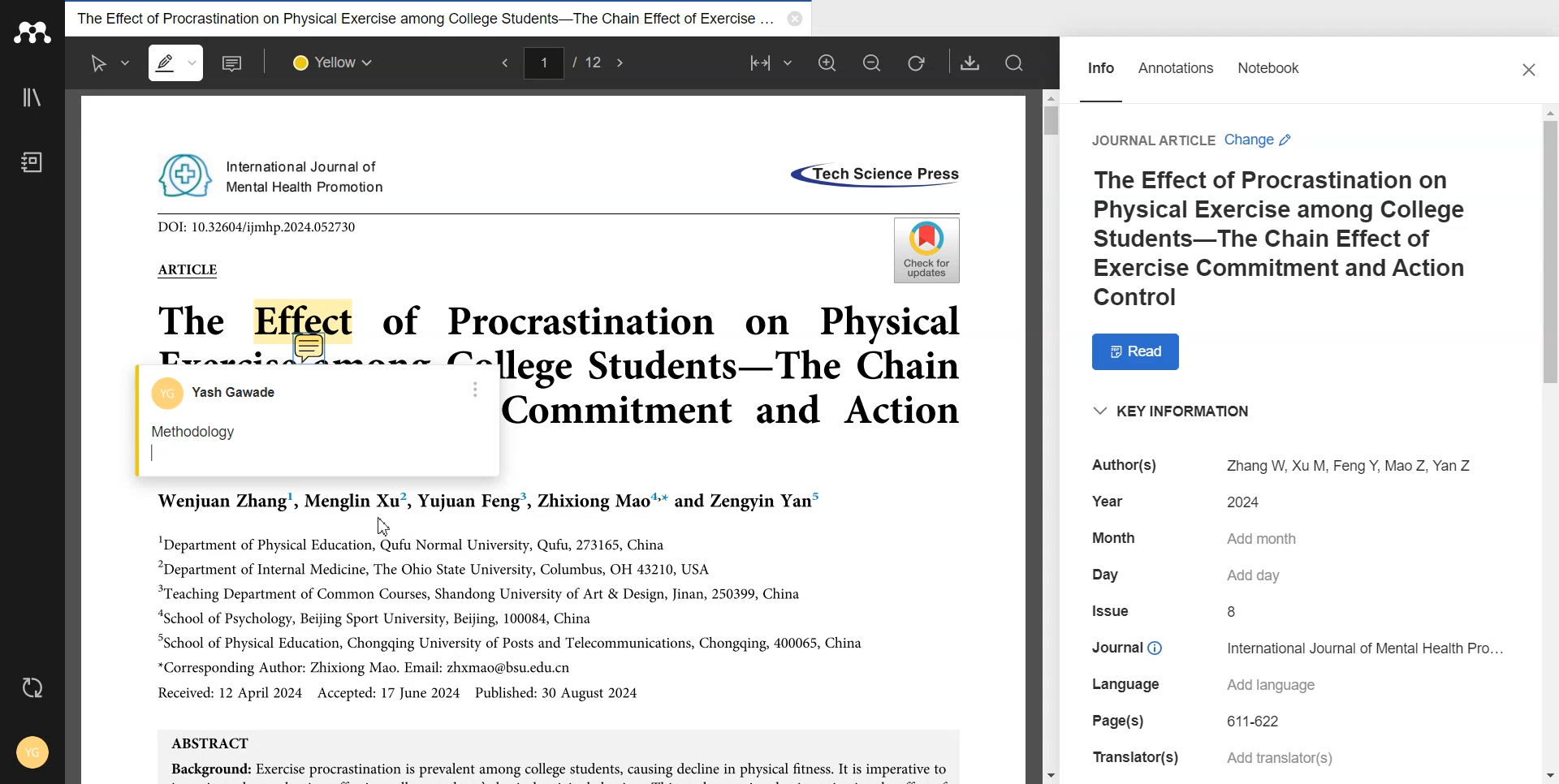 This screenshot has width=1559, height=784. I want to click on Page(s) 611-622, so click(1193, 722).